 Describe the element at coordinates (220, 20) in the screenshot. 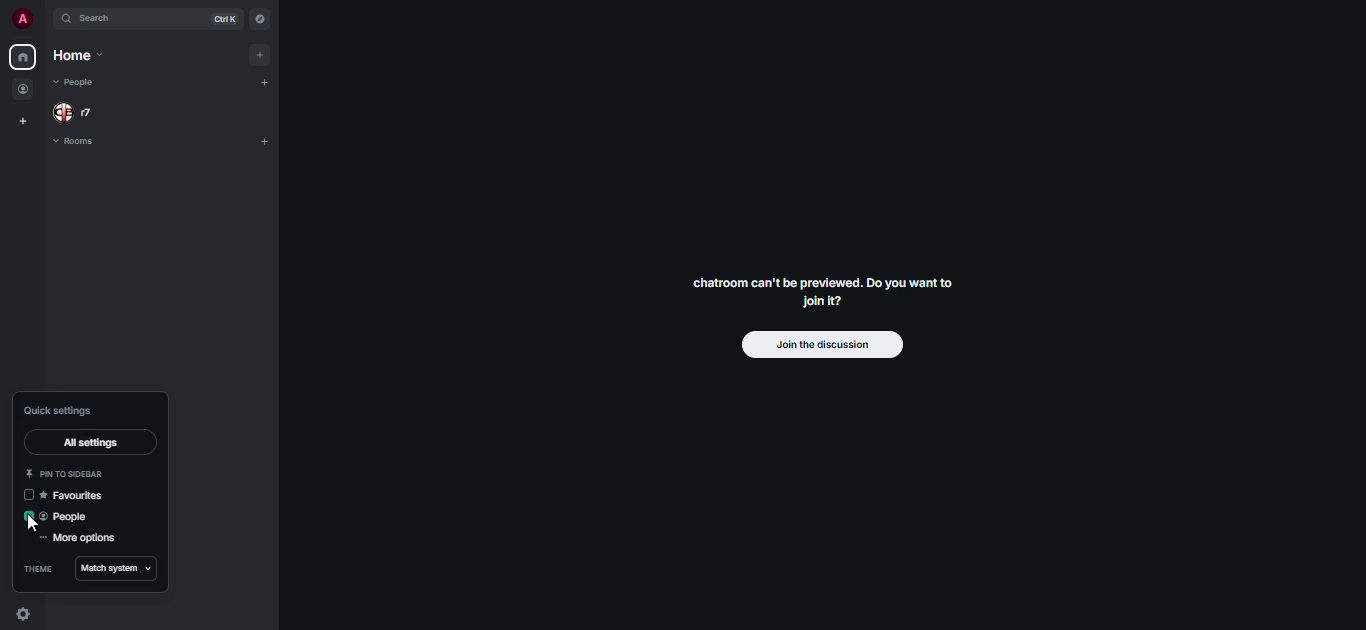

I see `ctrl K` at that location.